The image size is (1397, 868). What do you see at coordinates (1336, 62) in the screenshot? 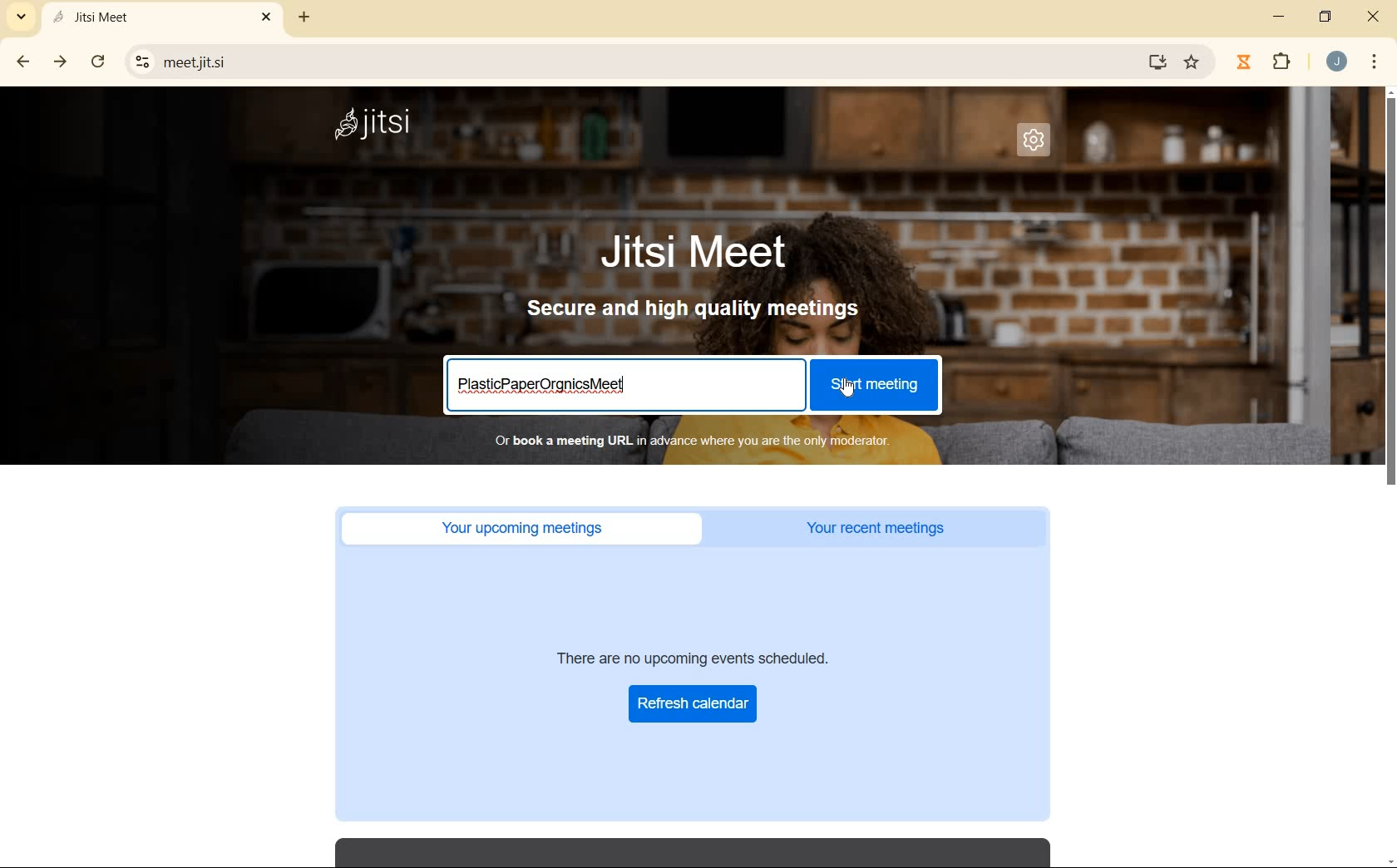
I see `account` at bounding box center [1336, 62].